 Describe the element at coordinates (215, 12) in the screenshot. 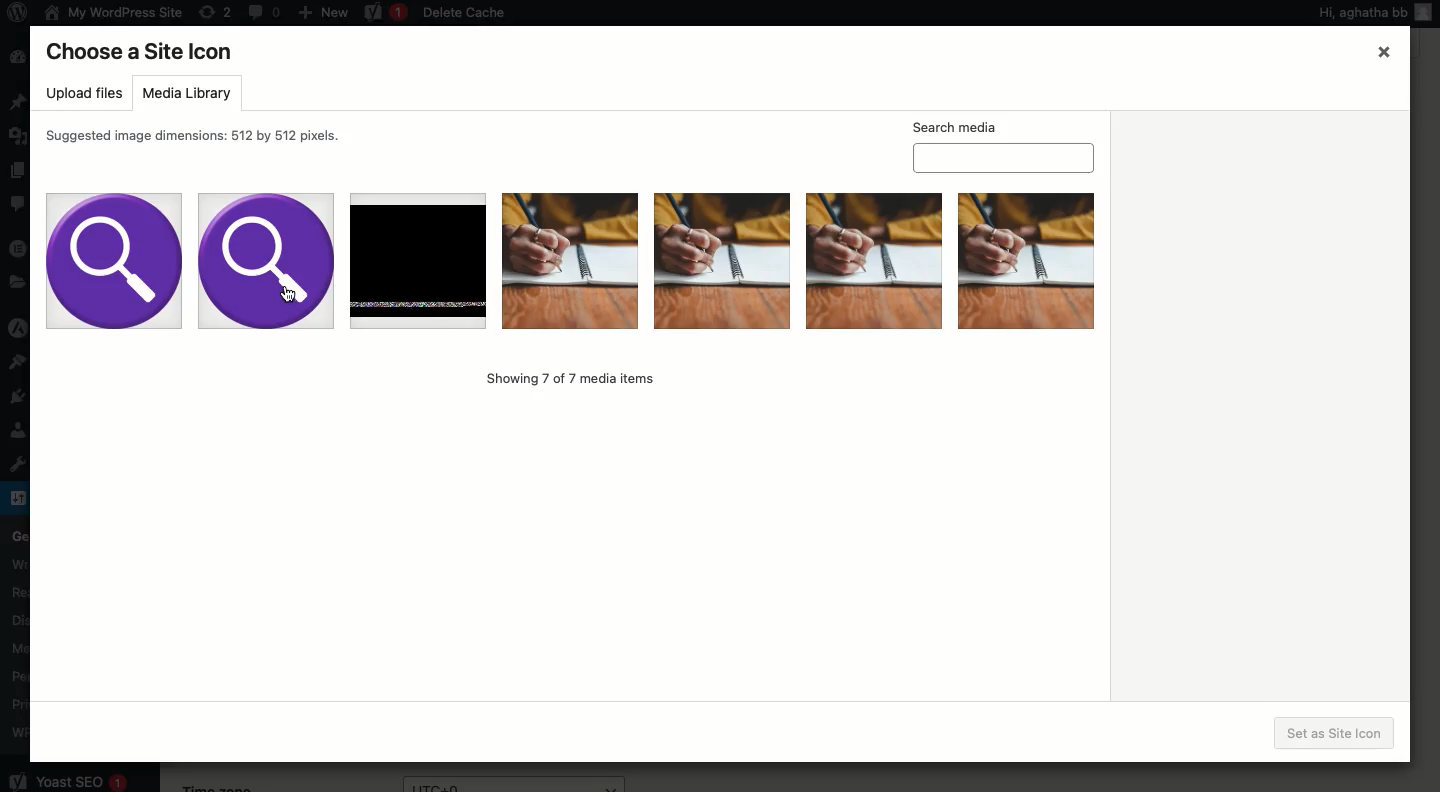

I see `Revisions (2)` at that location.